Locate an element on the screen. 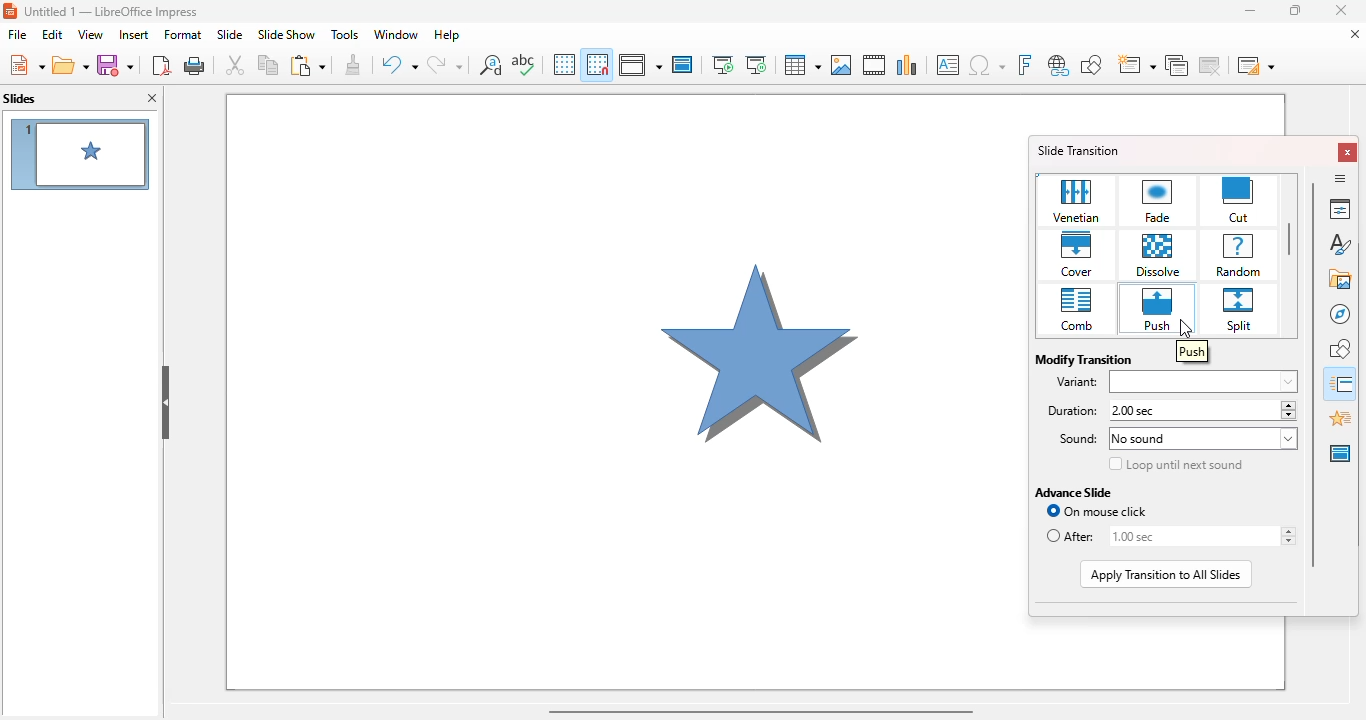 This screenshot has height=720, width=1366. master slide is located at coordinates (1340, 453).